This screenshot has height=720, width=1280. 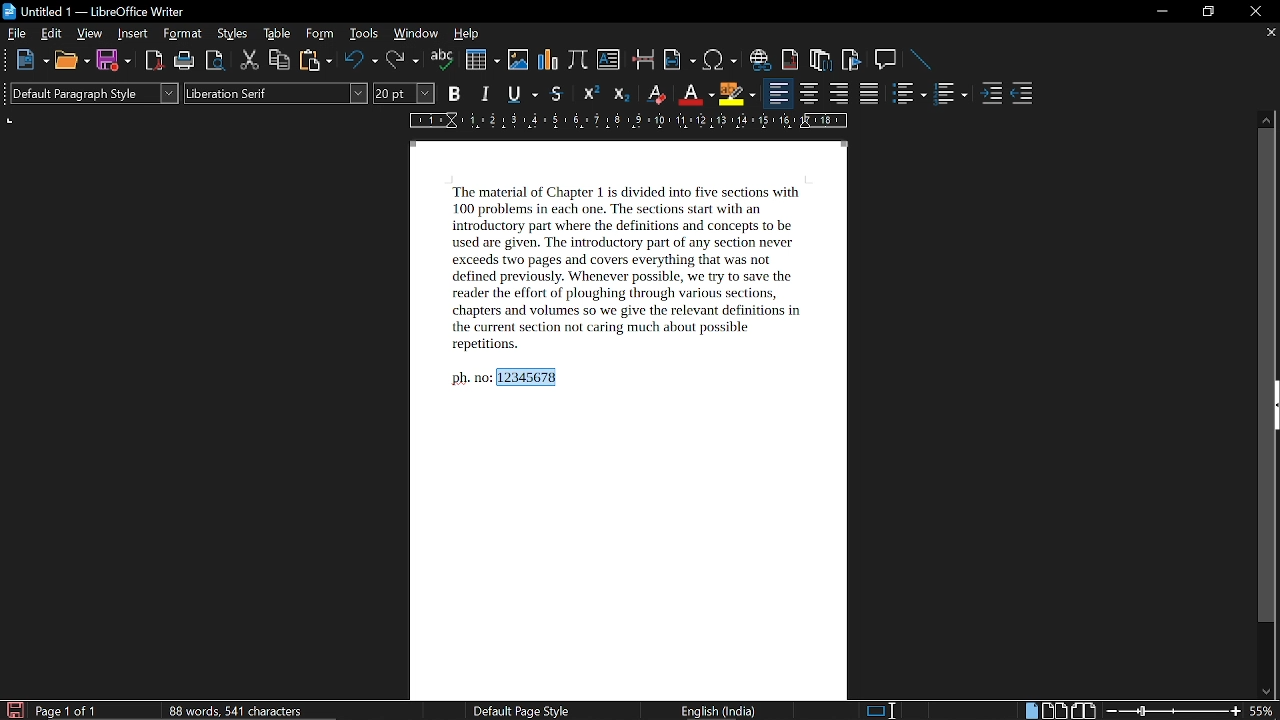 I want to click on multiple page view, so click(x=1055, y=711).